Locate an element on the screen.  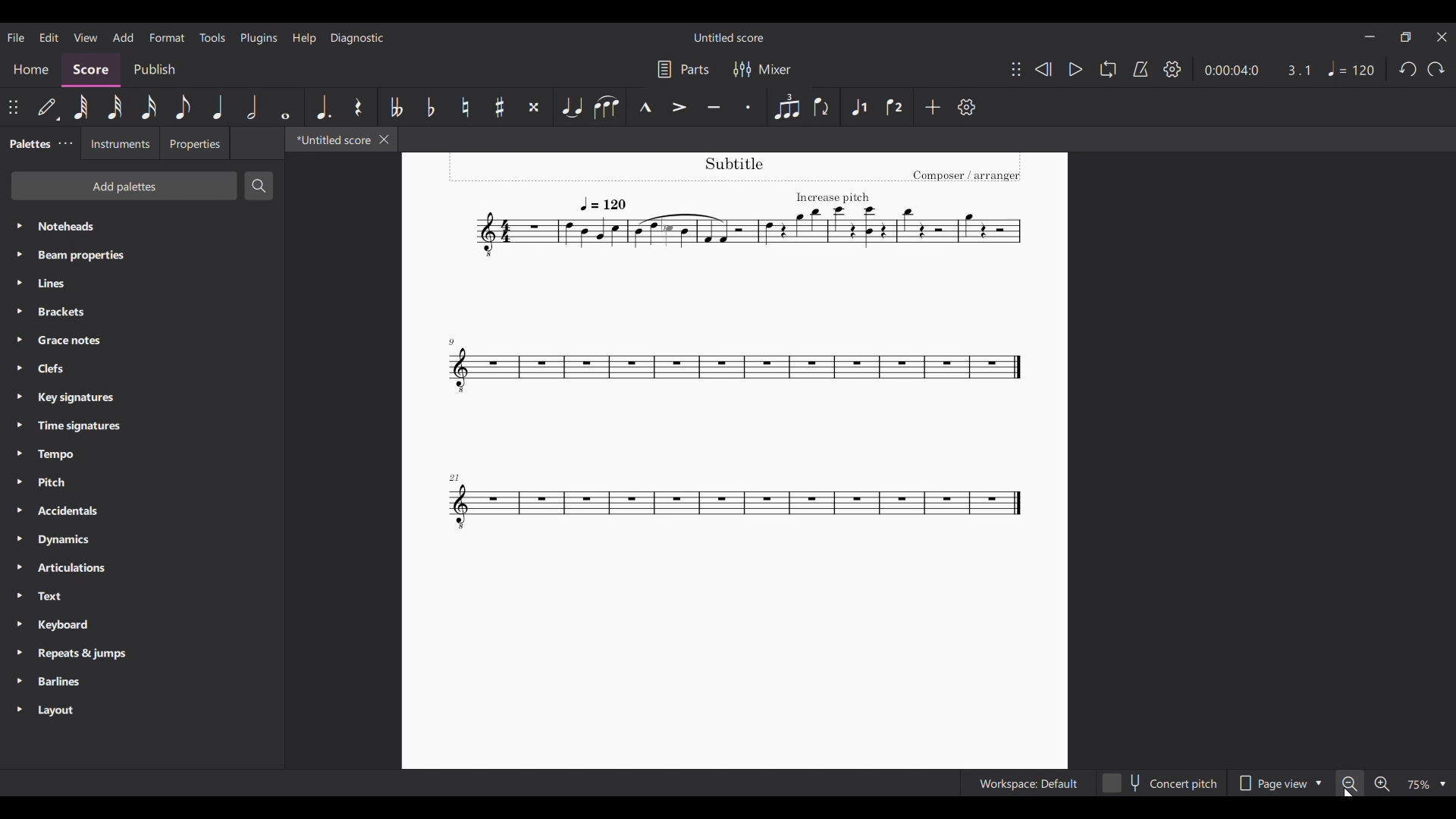
Keyboard is located at coordinates (142, 625).